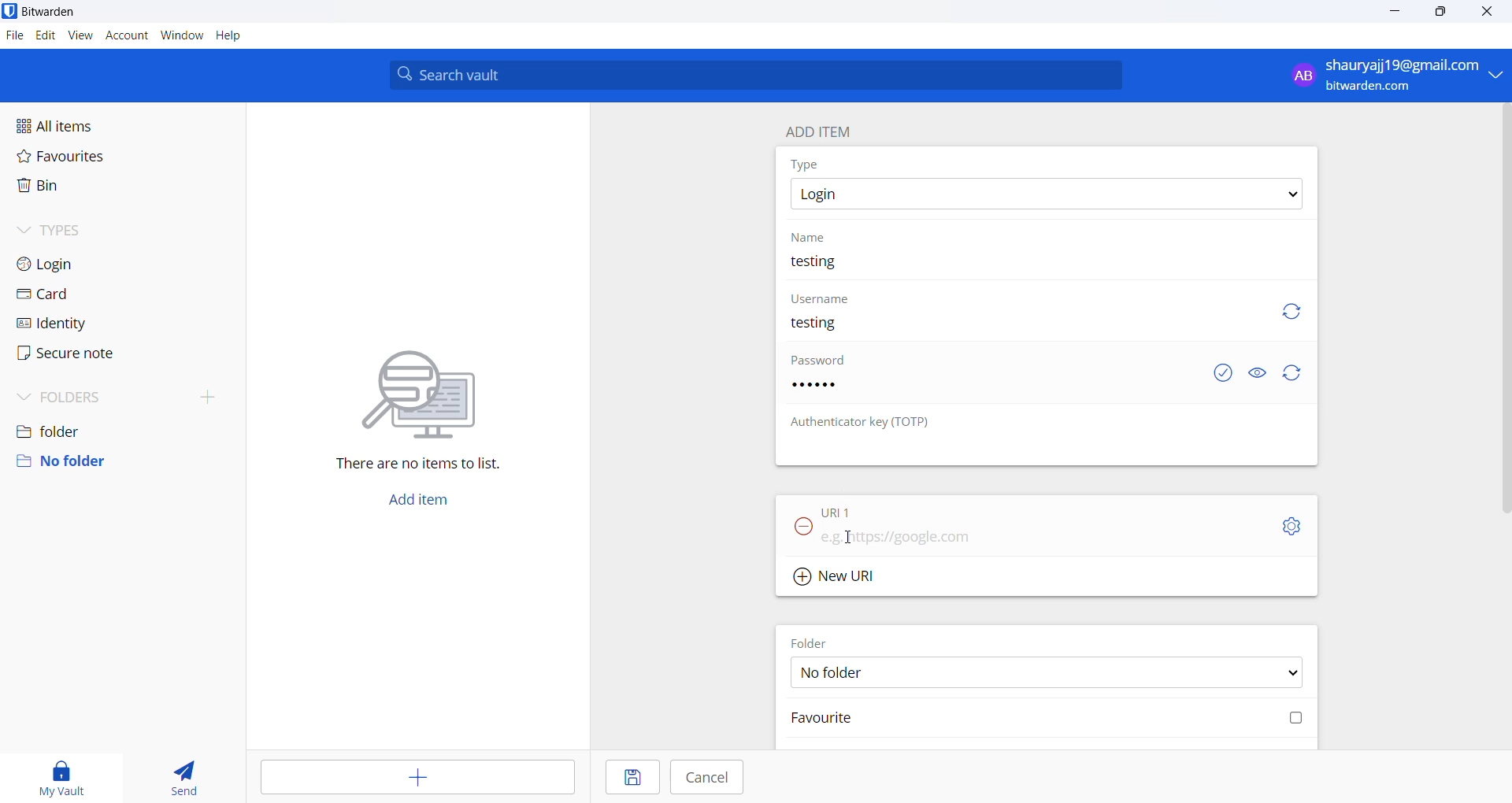 This screenshot has width=1512, height=803. What do you see at coordinates (182, 35) in the screenshot?
I see `window` at bounding box center [182, 35].